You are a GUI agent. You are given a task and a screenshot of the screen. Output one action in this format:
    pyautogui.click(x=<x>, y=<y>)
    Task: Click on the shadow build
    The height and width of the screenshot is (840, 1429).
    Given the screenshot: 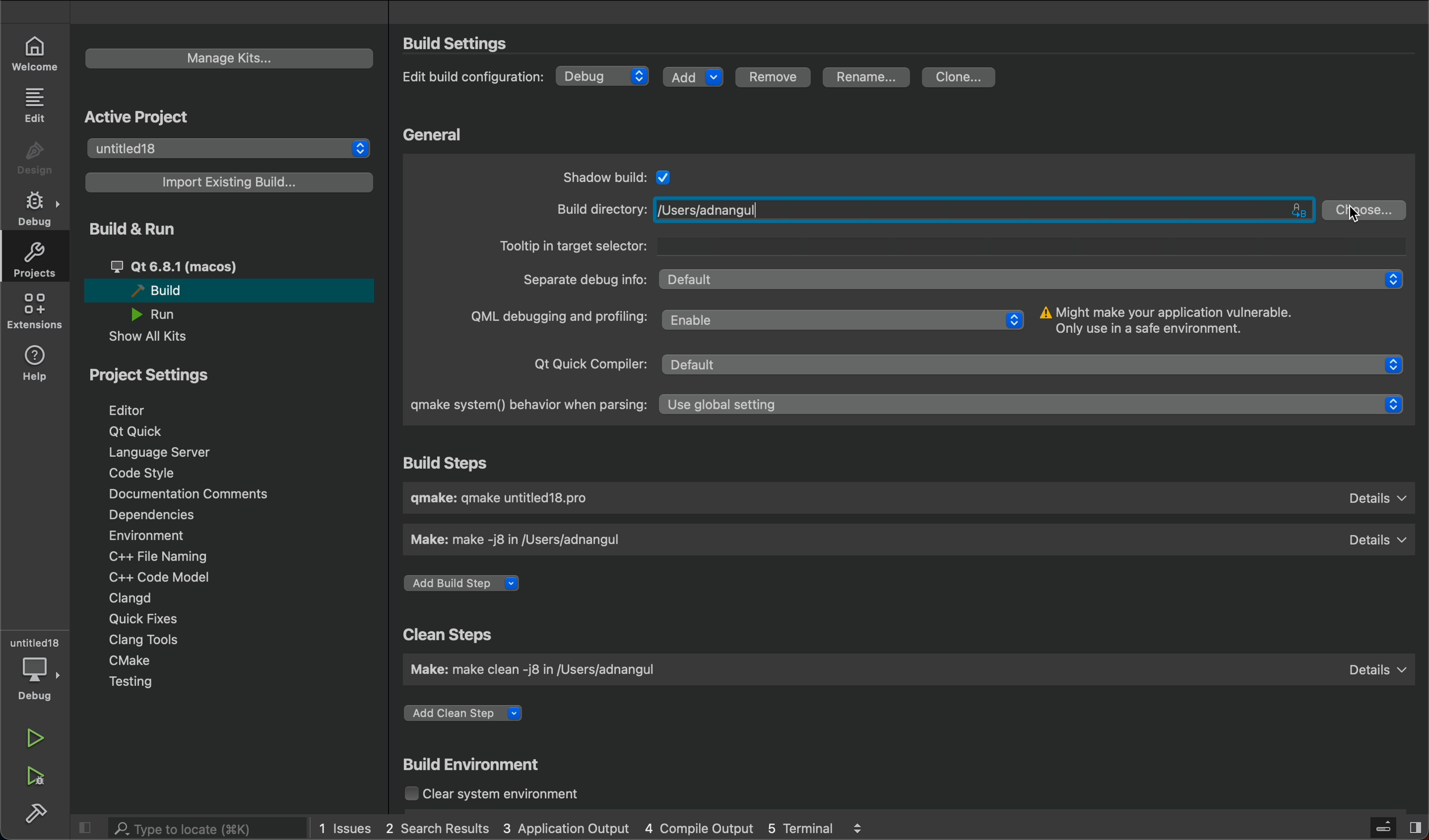 What is the action you would take?
    pyautogui.click(x=599, y=175)
    